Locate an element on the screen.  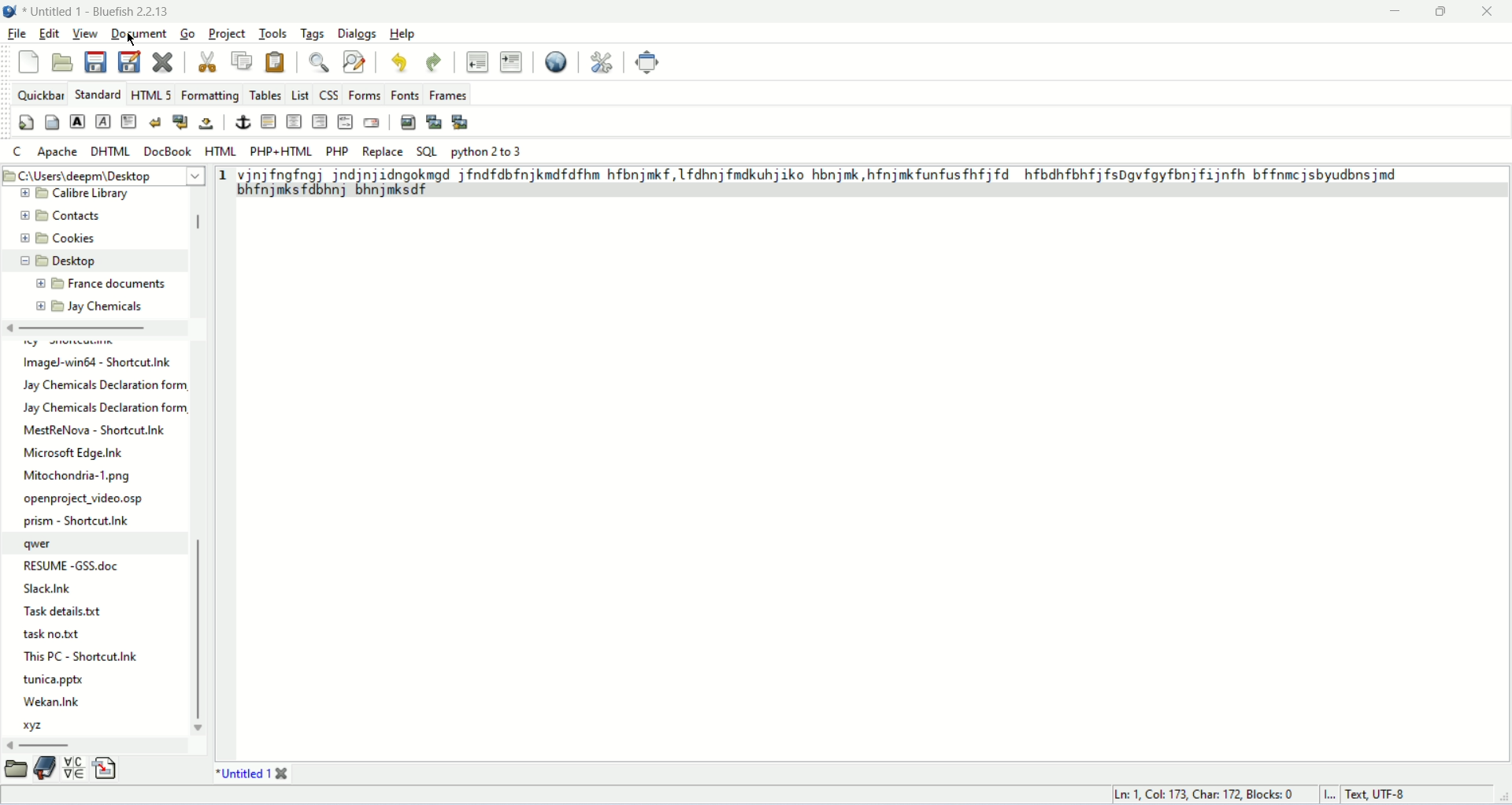
quickstart is located at coordinates (27, 122).